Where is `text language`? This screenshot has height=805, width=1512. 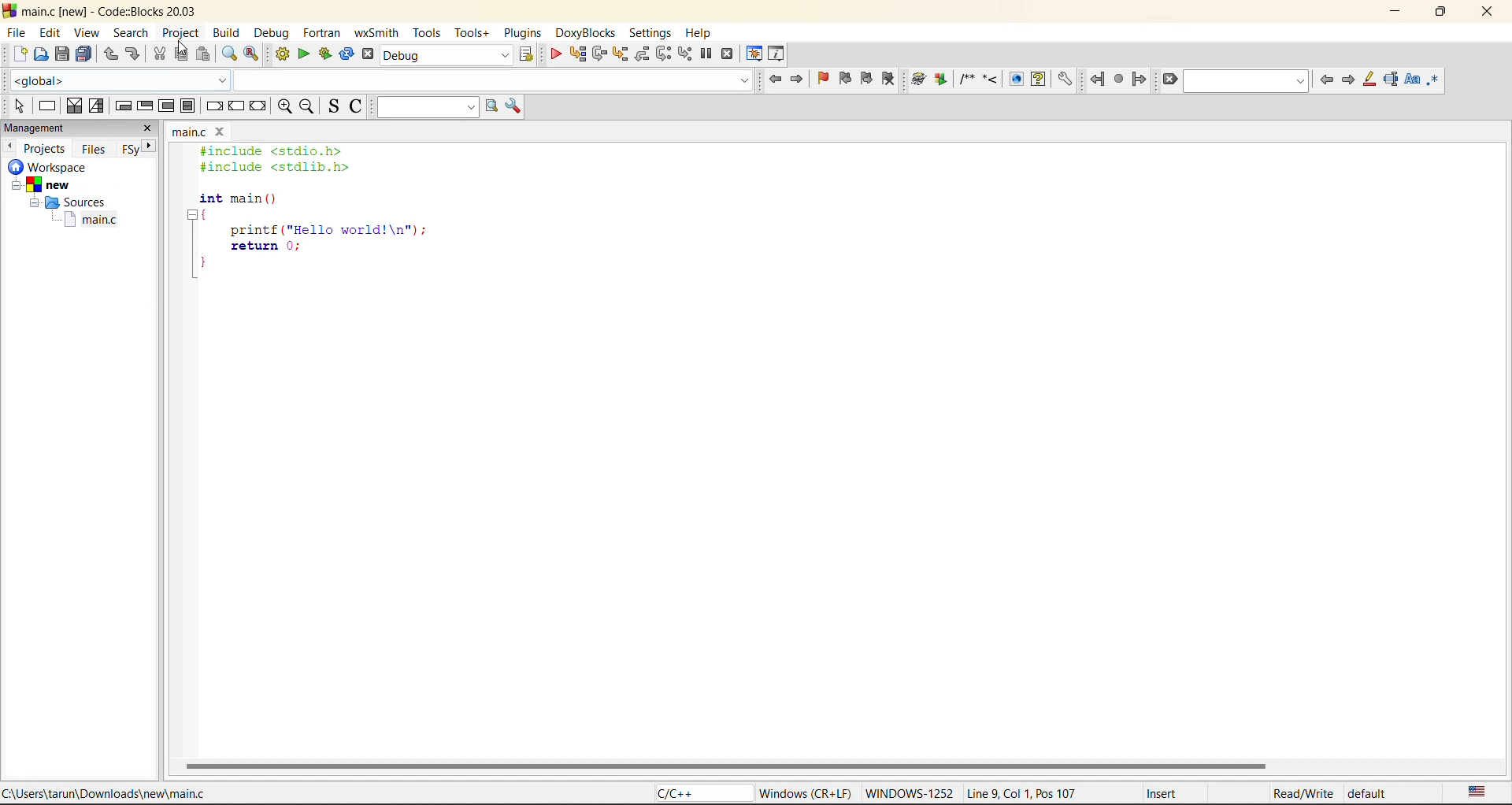 text language is located at coordinates (1480, 792).